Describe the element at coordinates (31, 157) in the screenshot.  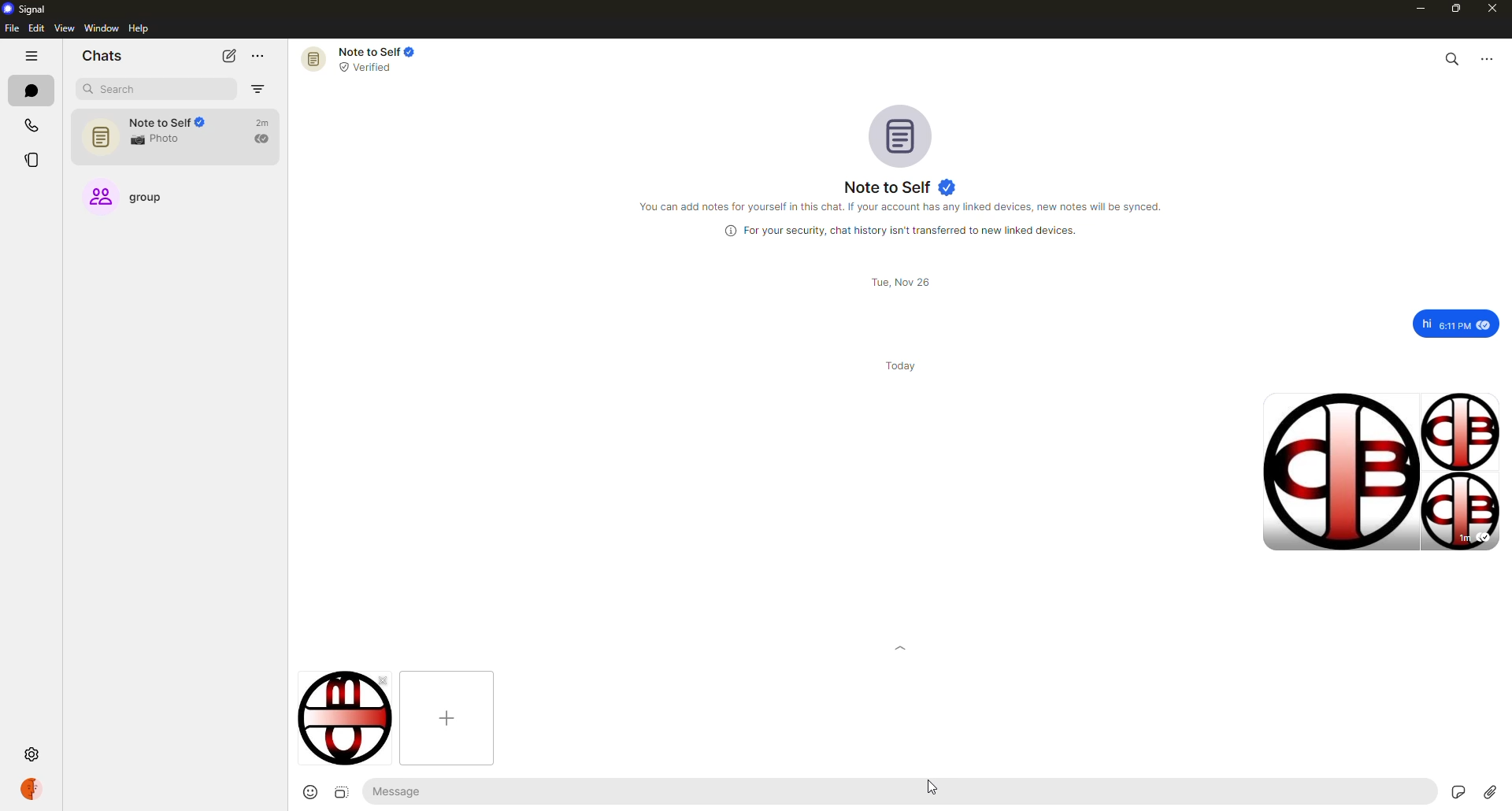
I see `stories` at that location.